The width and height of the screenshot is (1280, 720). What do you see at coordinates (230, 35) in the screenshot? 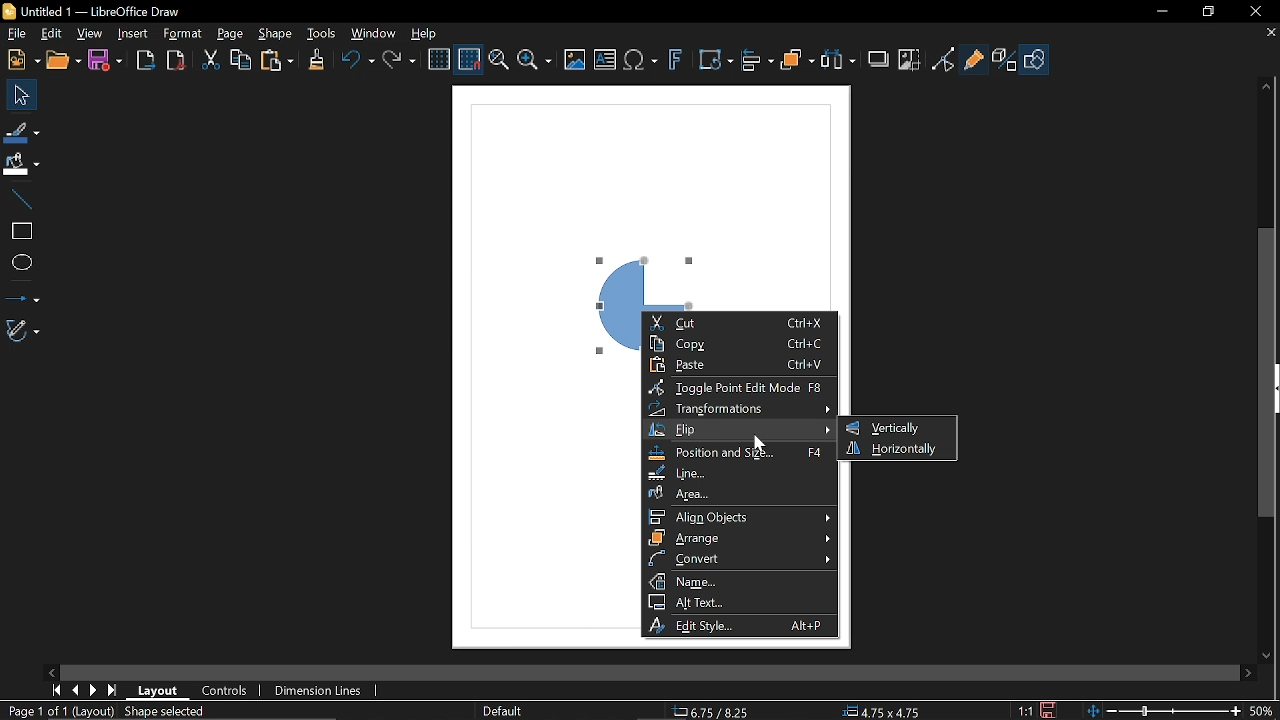
I see `Page` at bounding box center [230, 35].